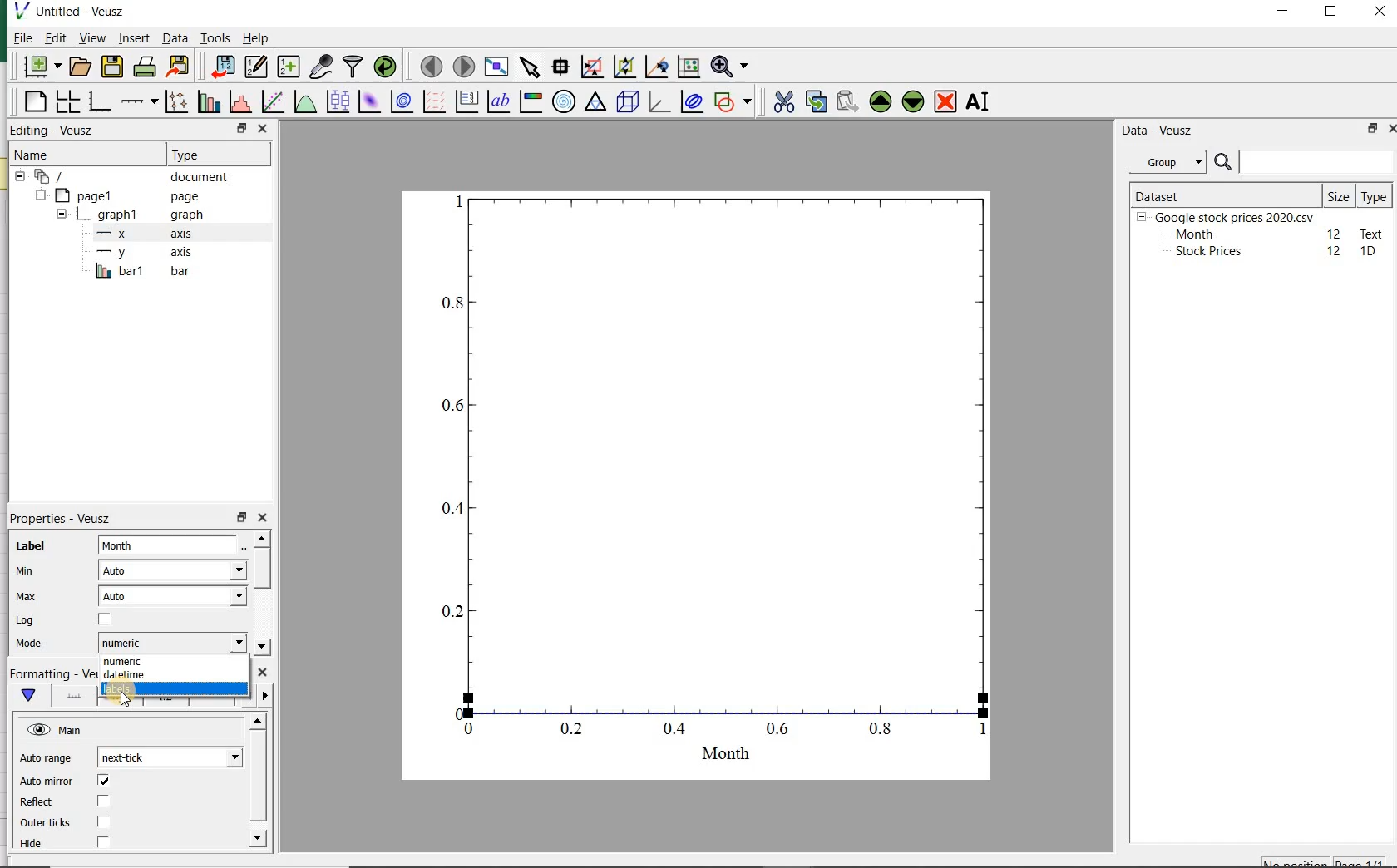 This screenshot has height=868, width=1397. I want to click on import data into Veusz, so click(220, 67).